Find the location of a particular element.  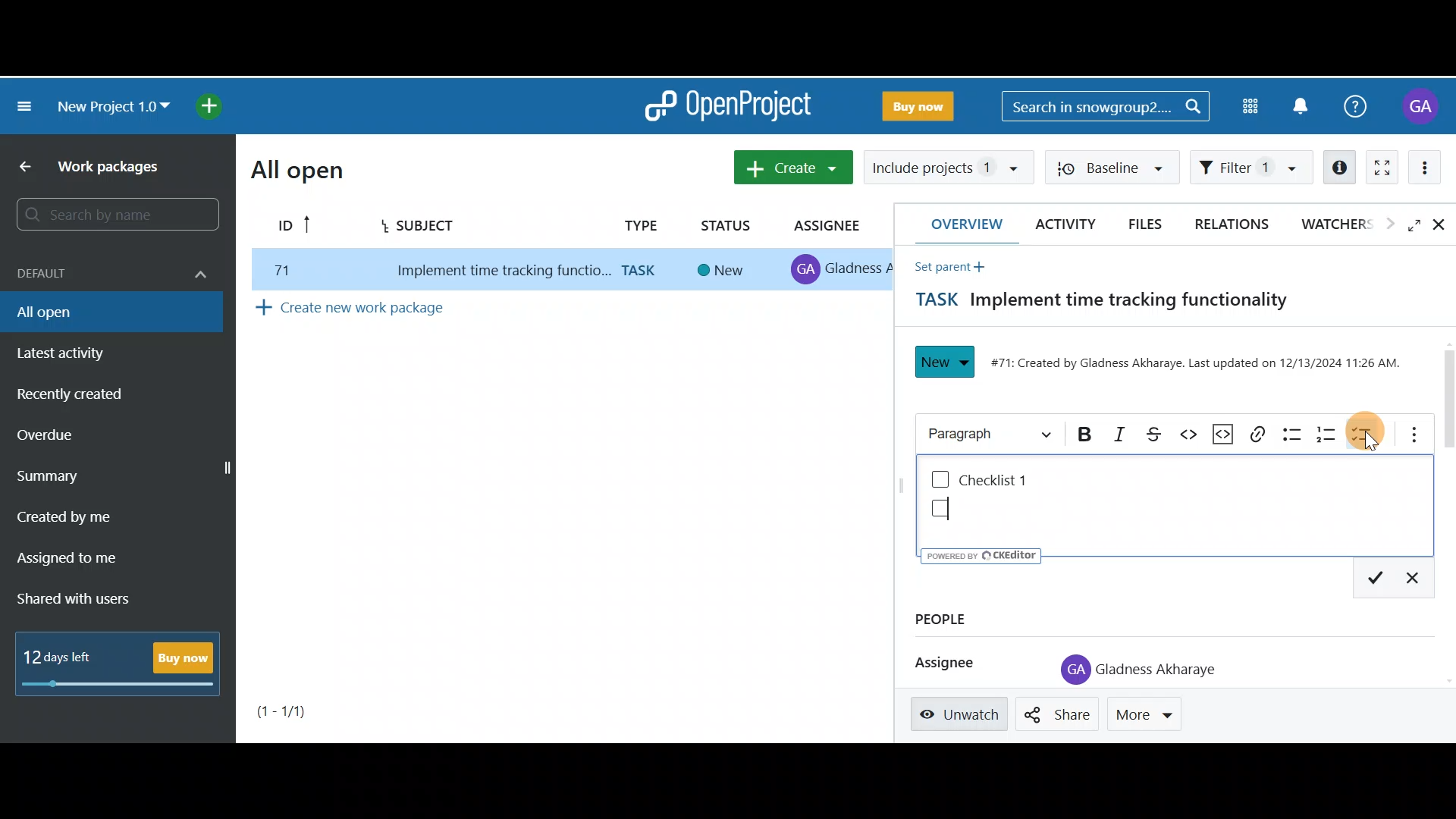

Account name is located at coordinates (1420, 108).